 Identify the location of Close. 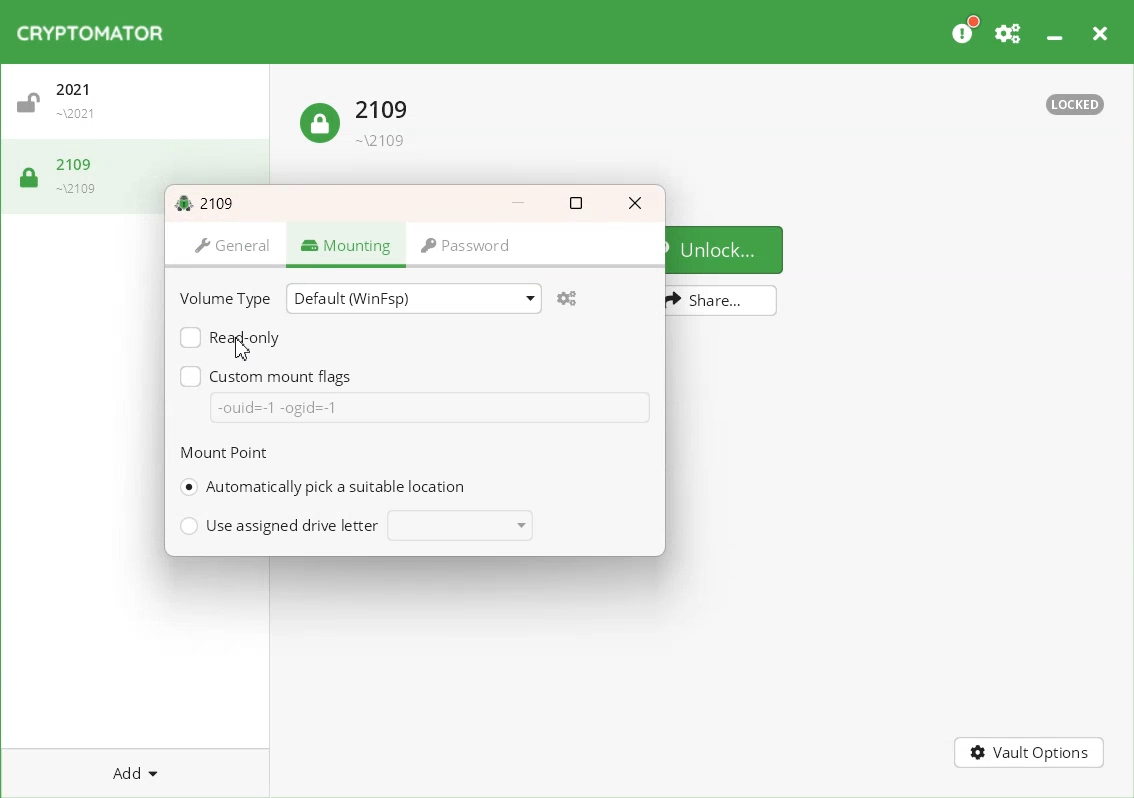
(1102, 32).